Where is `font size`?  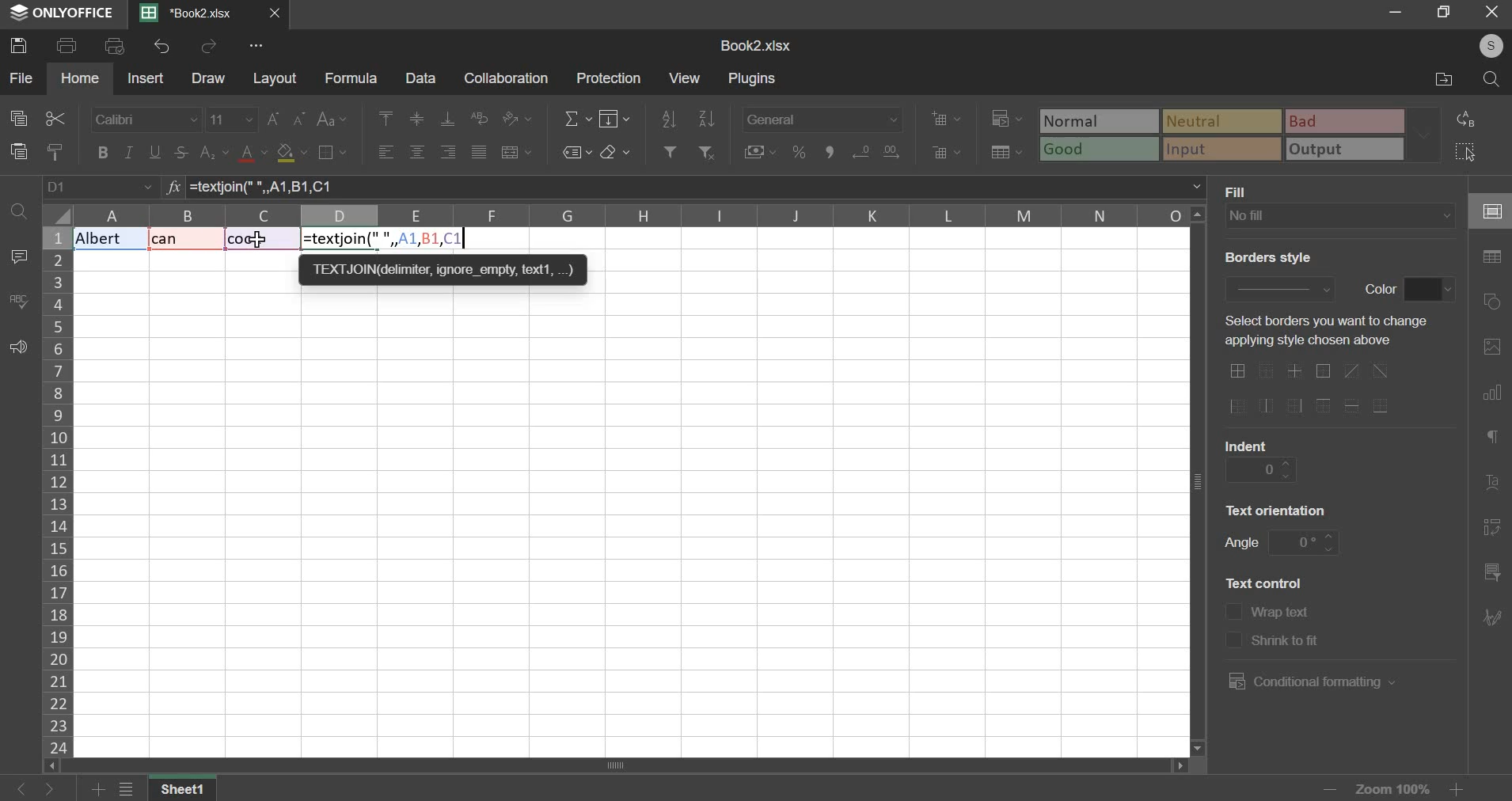
font size is located at coordinates (232, 119).